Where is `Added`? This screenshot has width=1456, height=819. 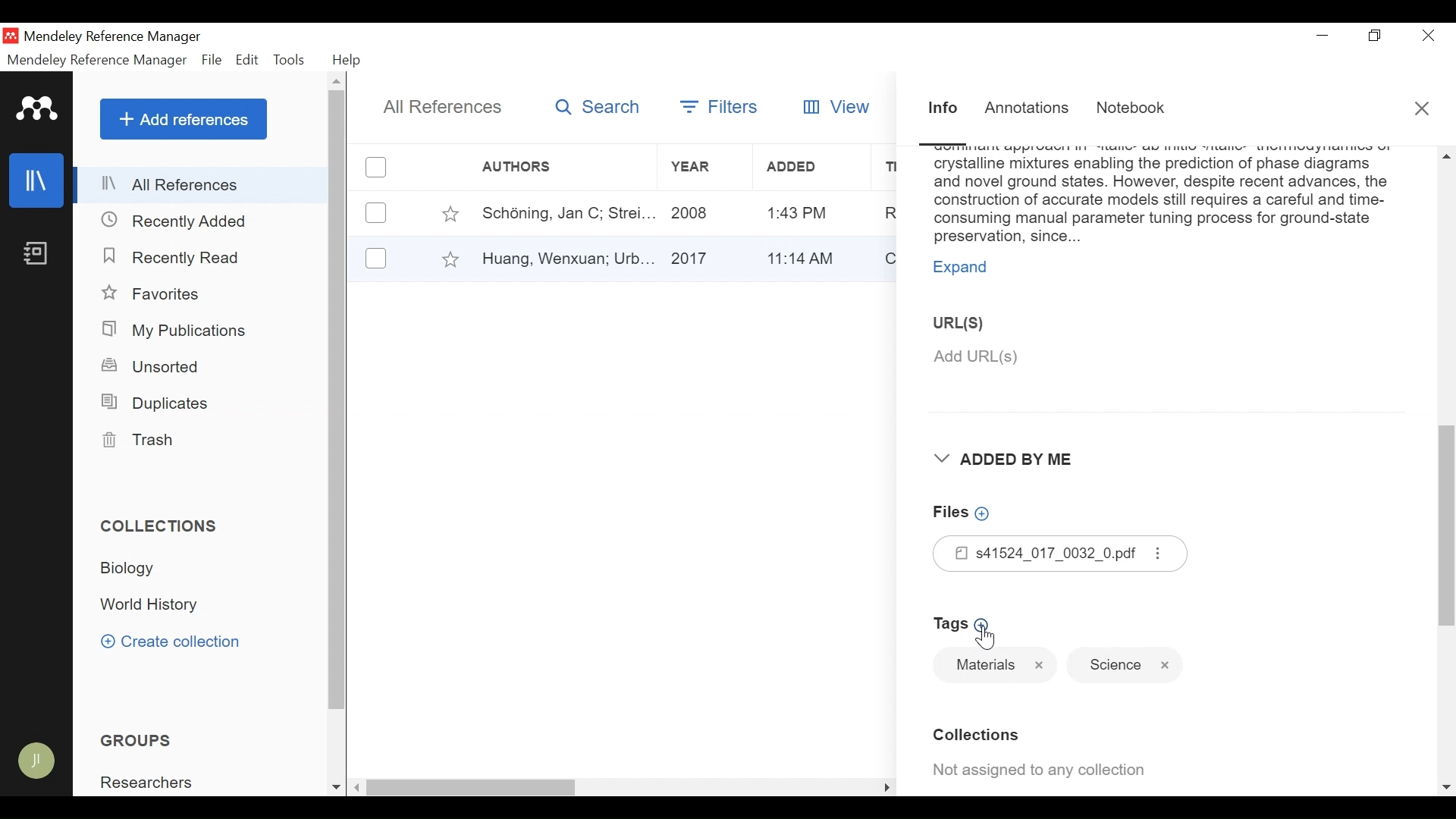
Added is located at coordinates (808, 212).